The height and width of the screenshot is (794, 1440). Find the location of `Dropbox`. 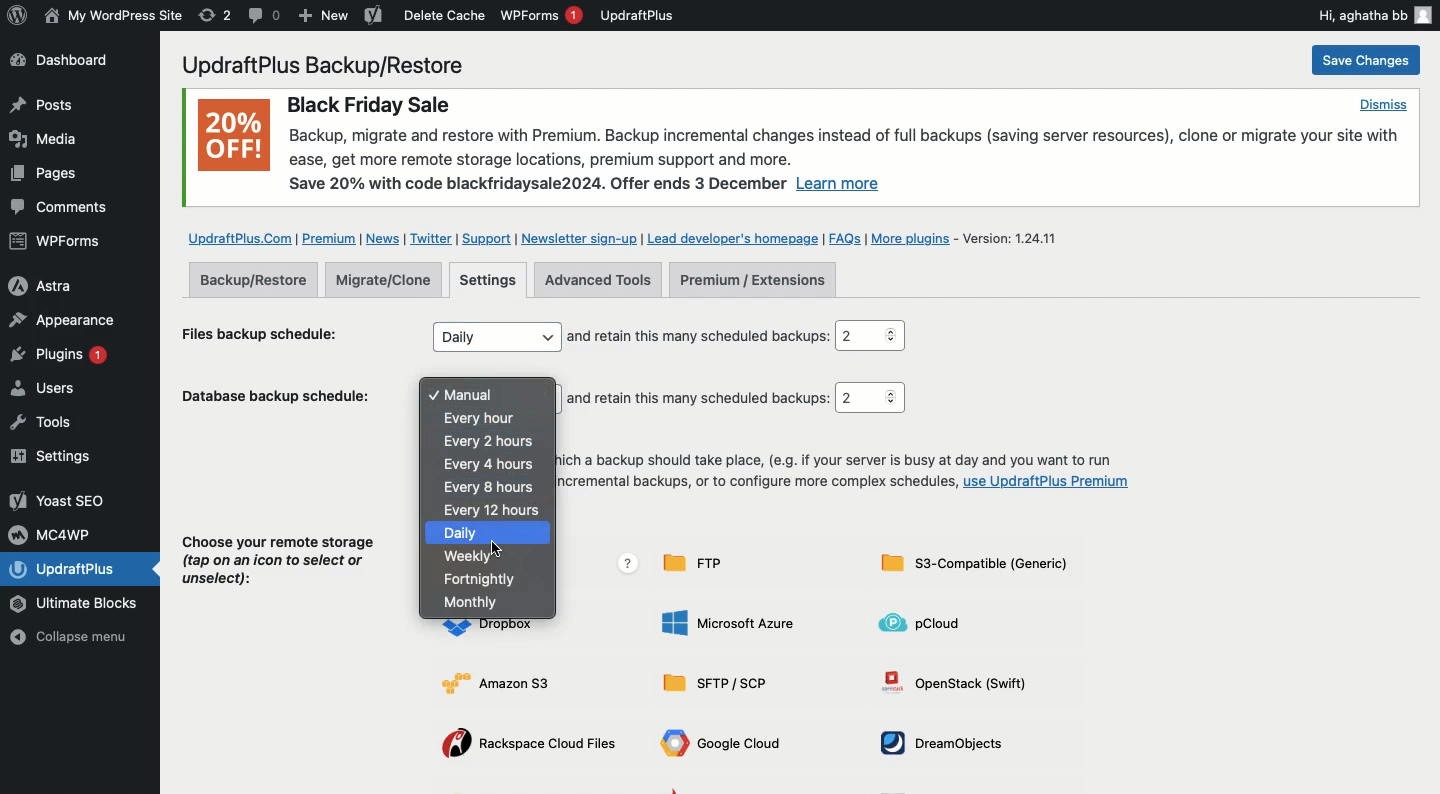

Dropbox is located at coordinates (493, 630).